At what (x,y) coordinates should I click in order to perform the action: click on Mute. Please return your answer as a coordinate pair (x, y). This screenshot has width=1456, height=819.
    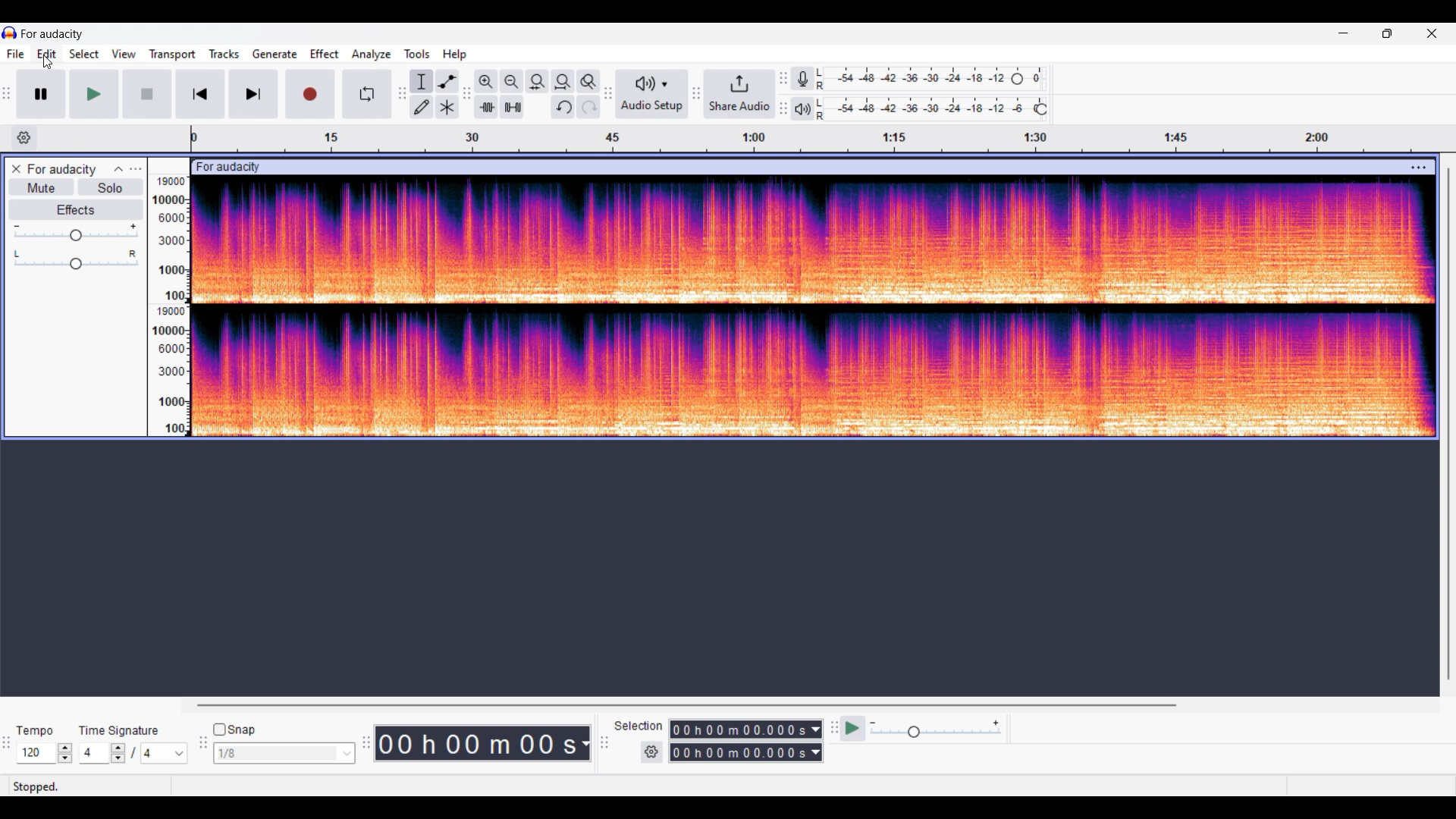
    Looking at the image, I should click on (42, 187).